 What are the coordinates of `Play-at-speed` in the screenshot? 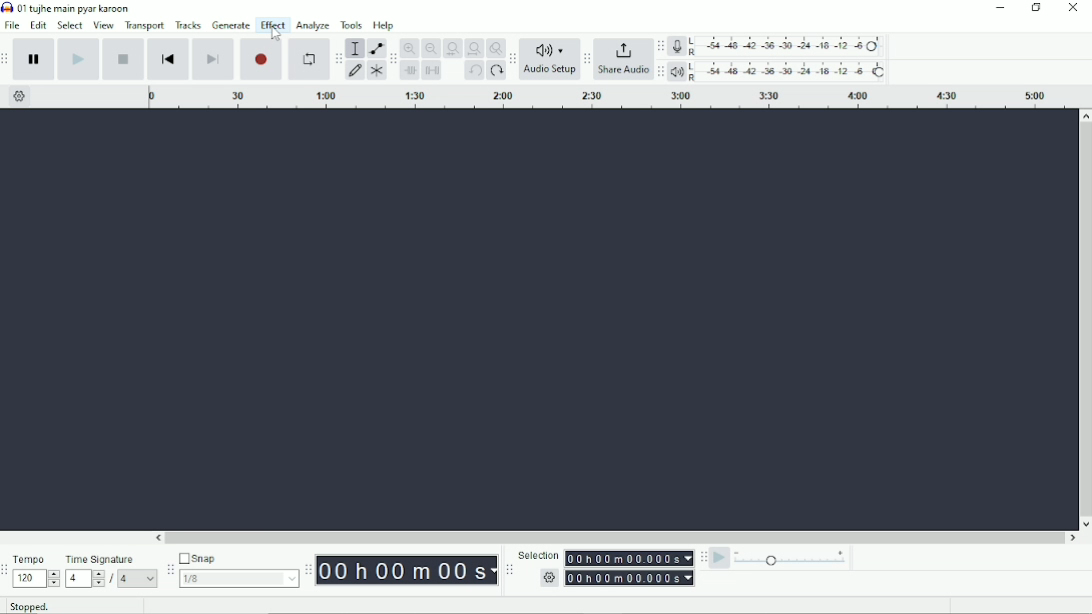 It's located at (720, 559).